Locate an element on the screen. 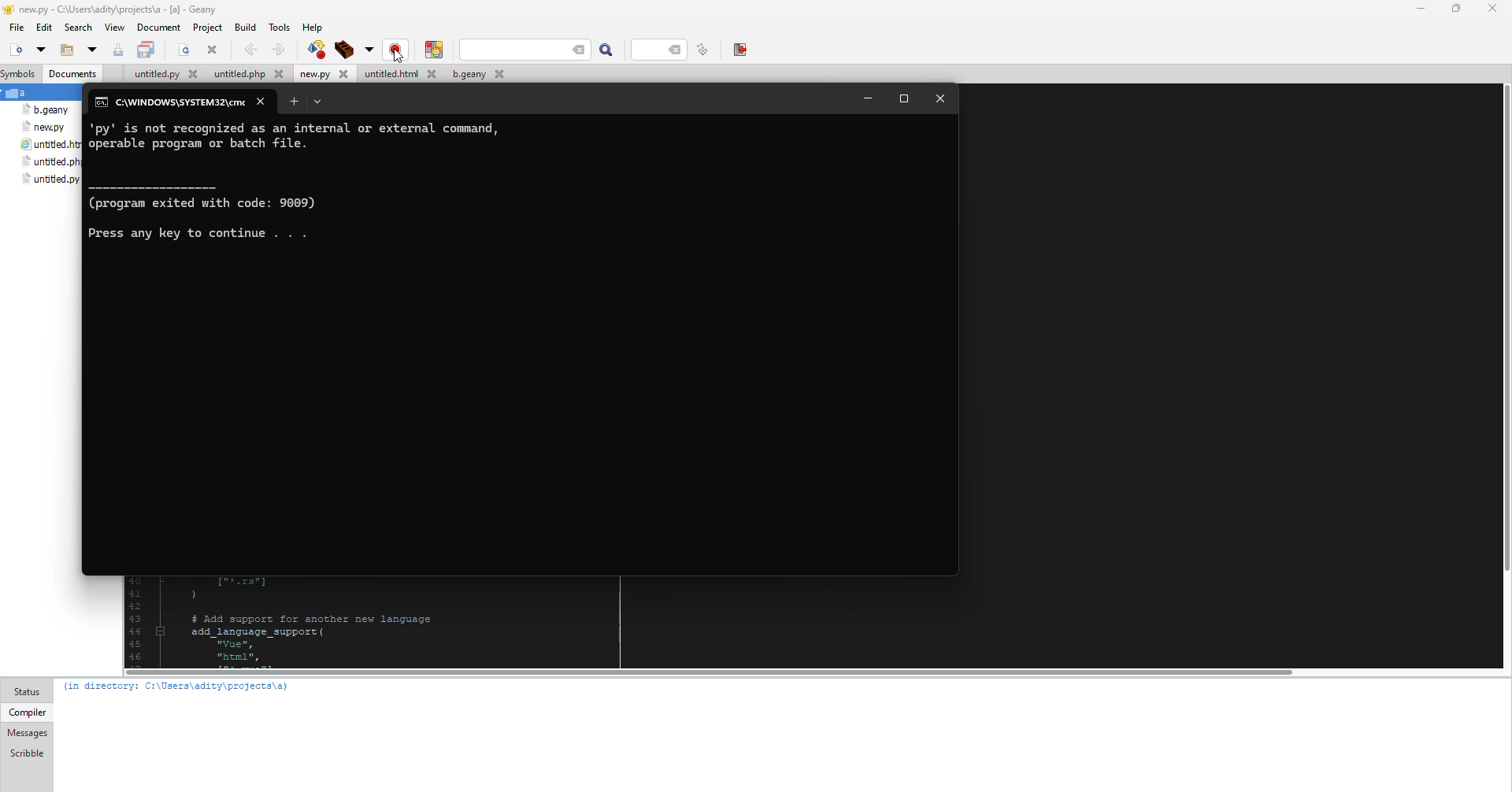 Image resolution: width=1512 pixels, height=792 pixels. info is located at coordinates (214, 197).